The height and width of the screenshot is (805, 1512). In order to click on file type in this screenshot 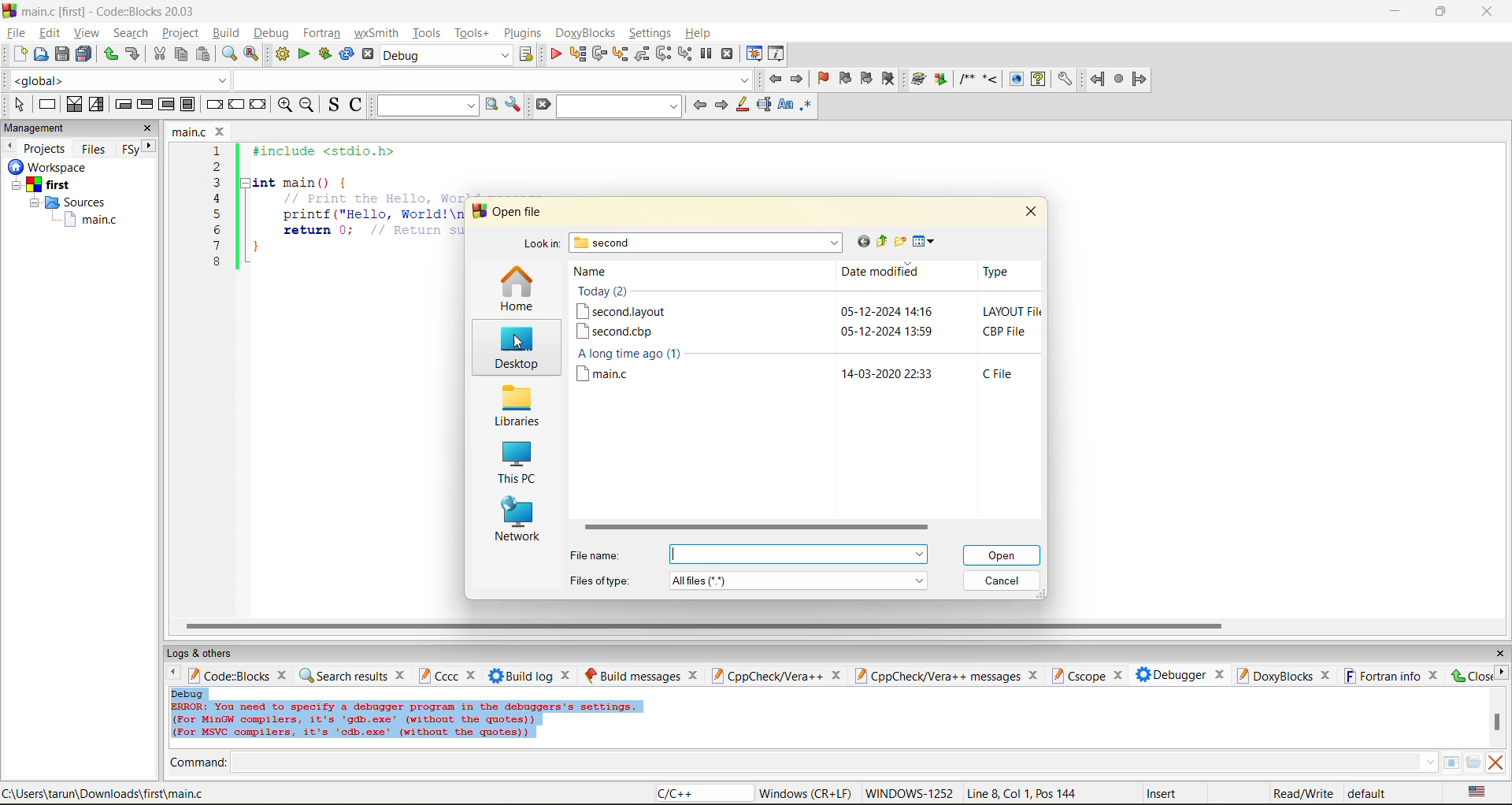, I will do `click(999, 373)`.